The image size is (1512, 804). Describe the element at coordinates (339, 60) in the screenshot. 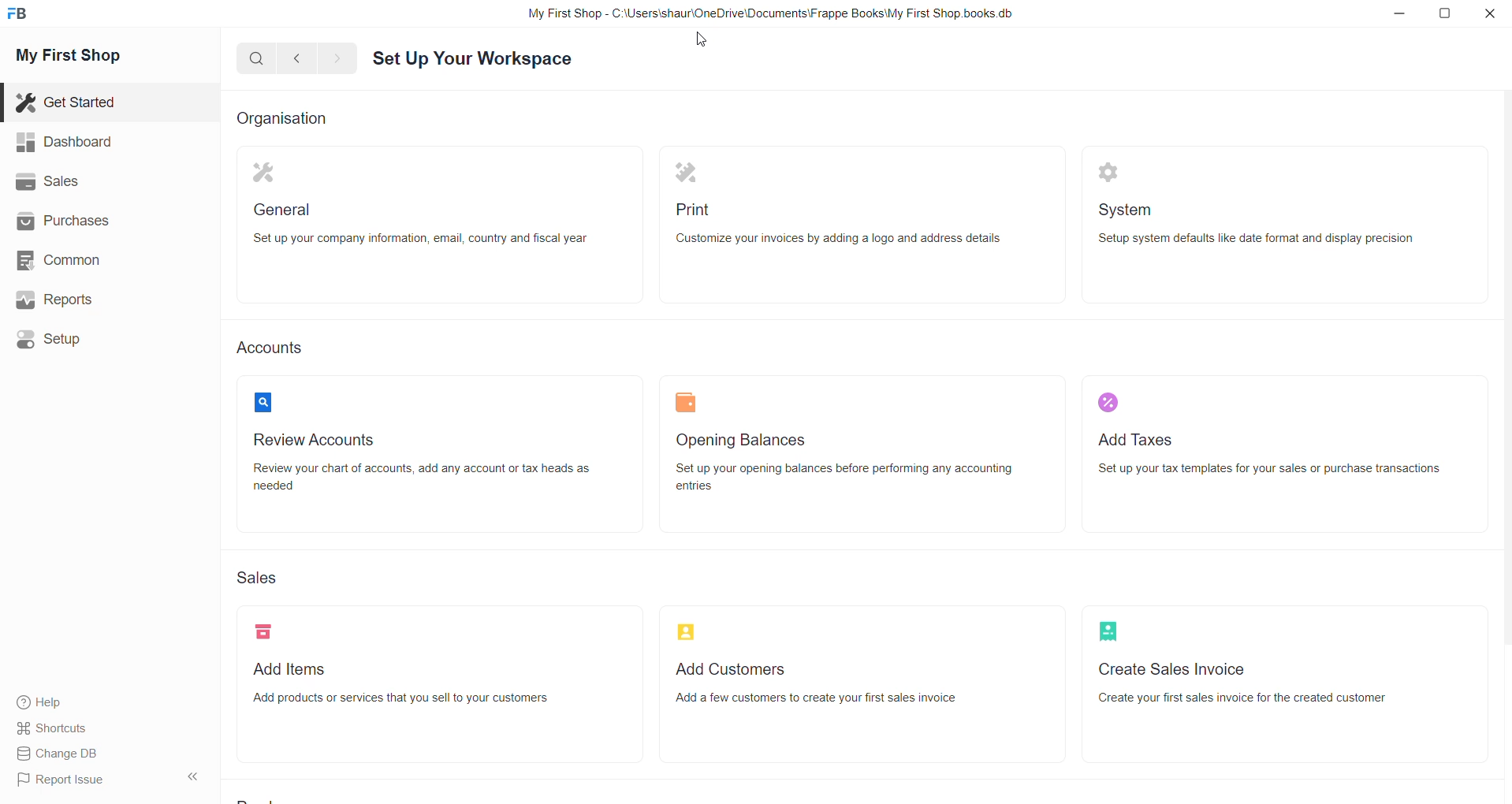

I see `move forward ` at that location.